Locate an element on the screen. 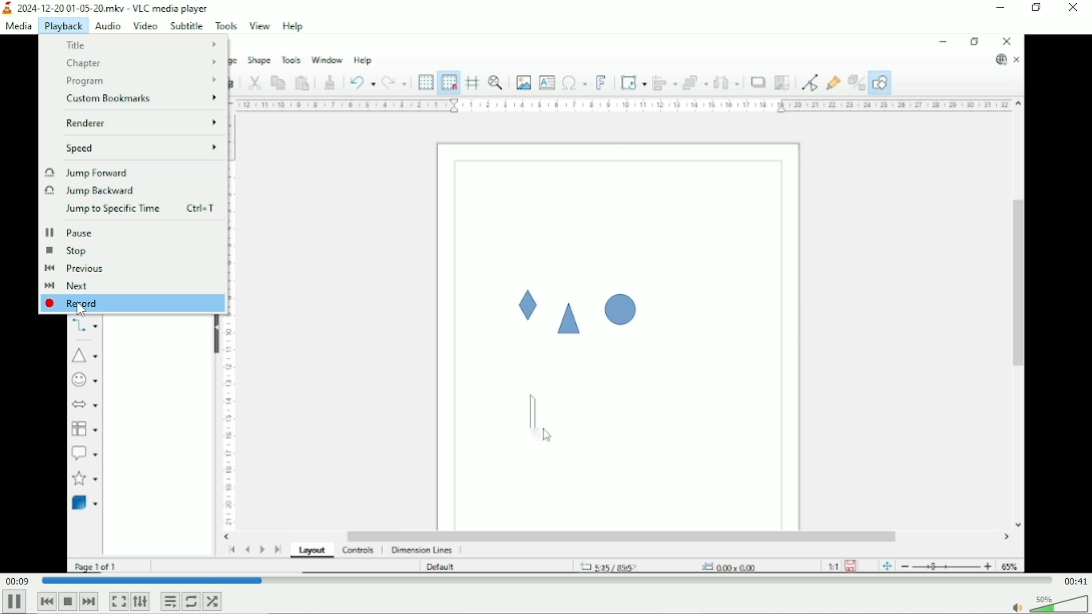  Random is located at coordinates (213, 601).